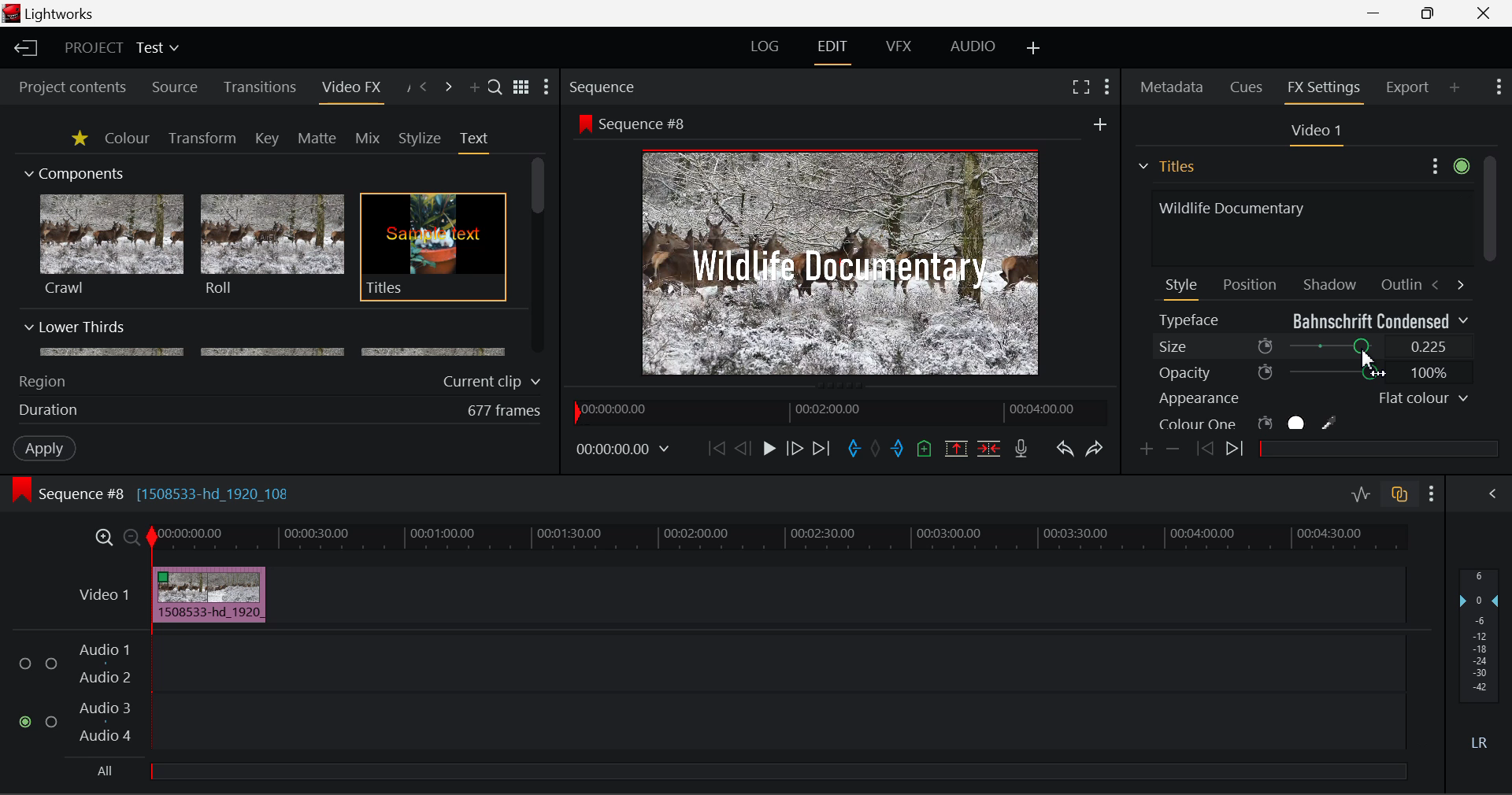 This screenshot has height=795, width=1512. Describe the element at coordinates (81, 139) in the screenshot. I see `Favorites` at that location.